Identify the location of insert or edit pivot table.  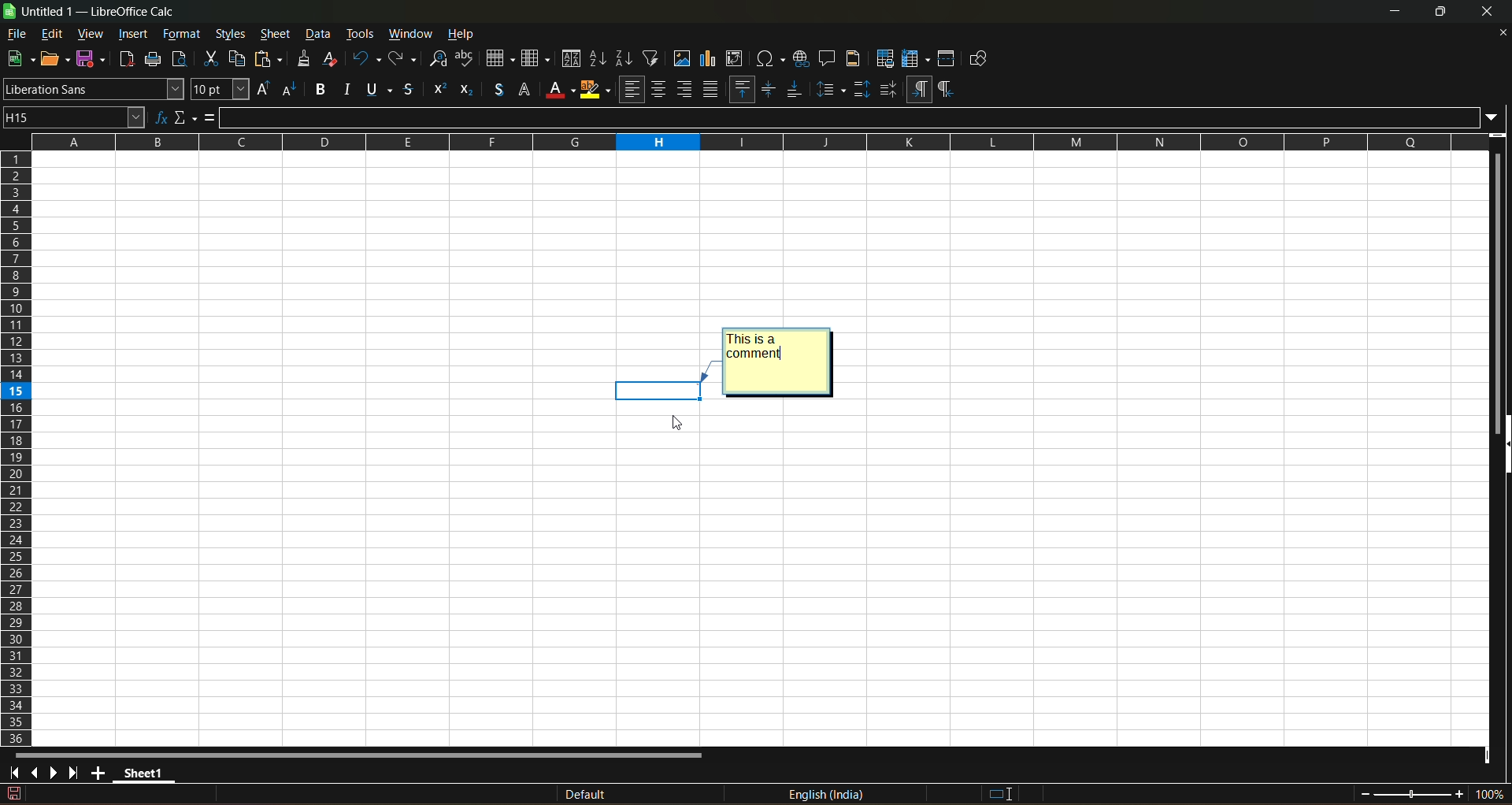
(734, 59).